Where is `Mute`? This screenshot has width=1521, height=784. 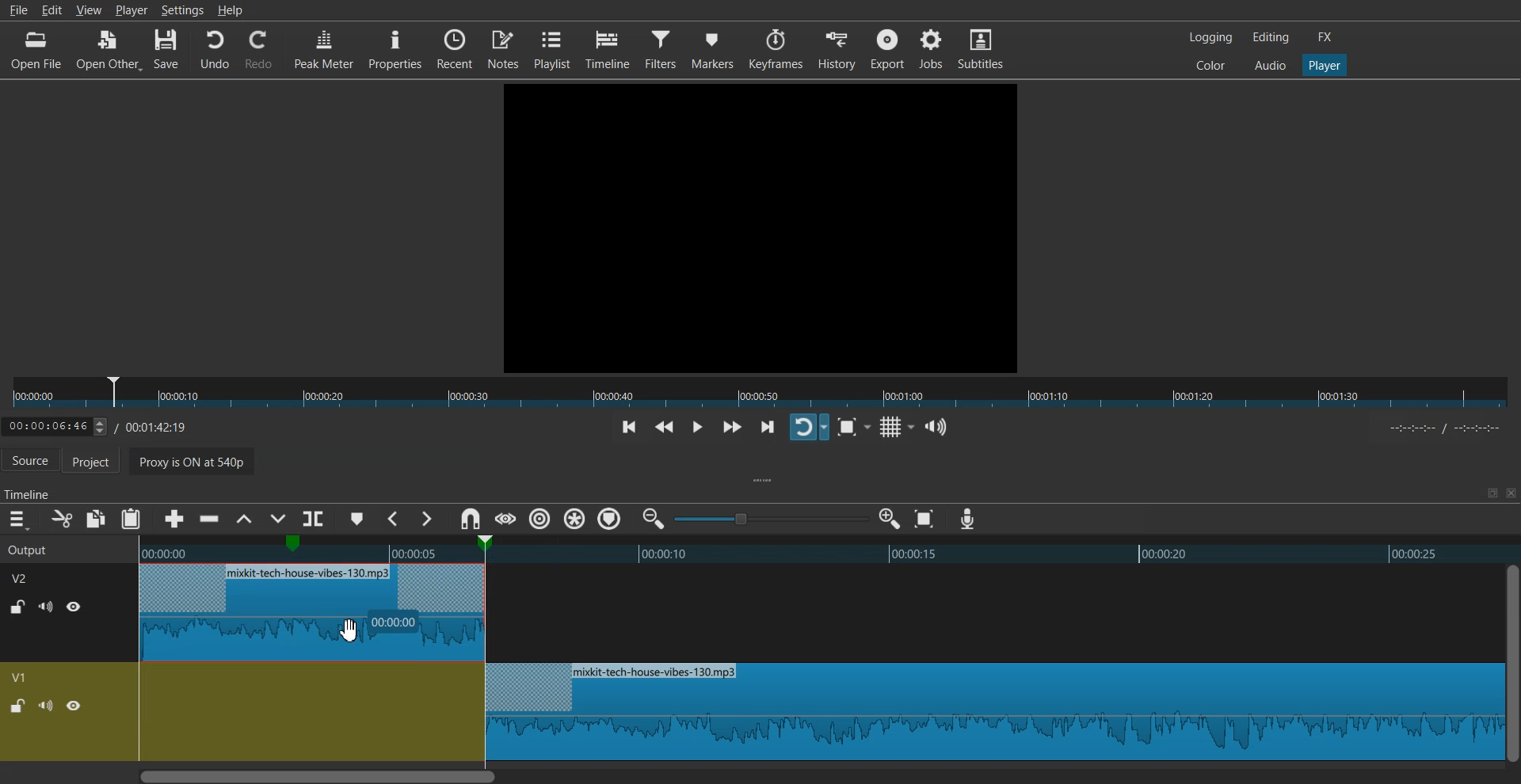
Mute is located at coordinates (46, 607).